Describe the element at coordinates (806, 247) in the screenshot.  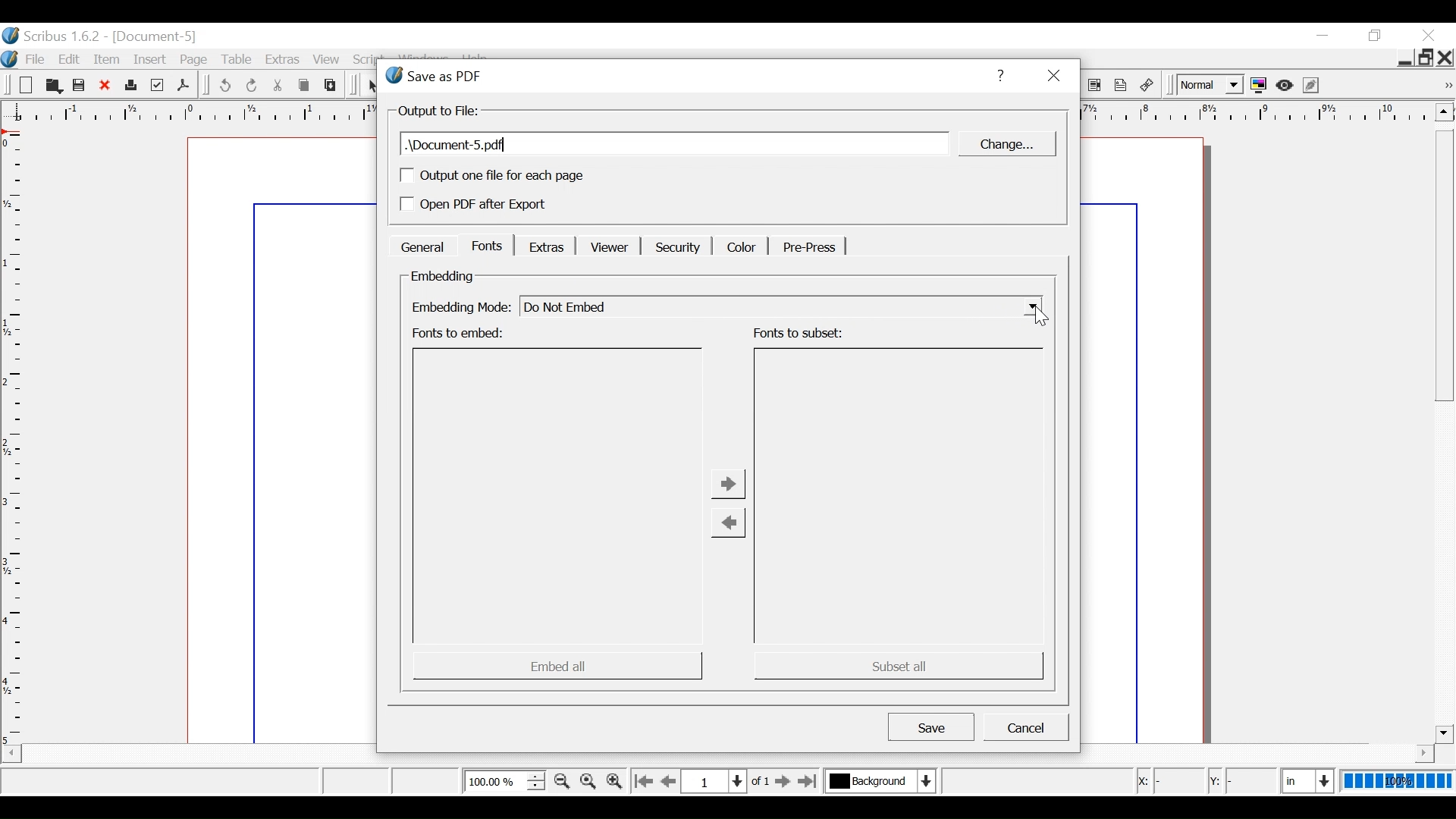
I see `Pre-Press` at that location.